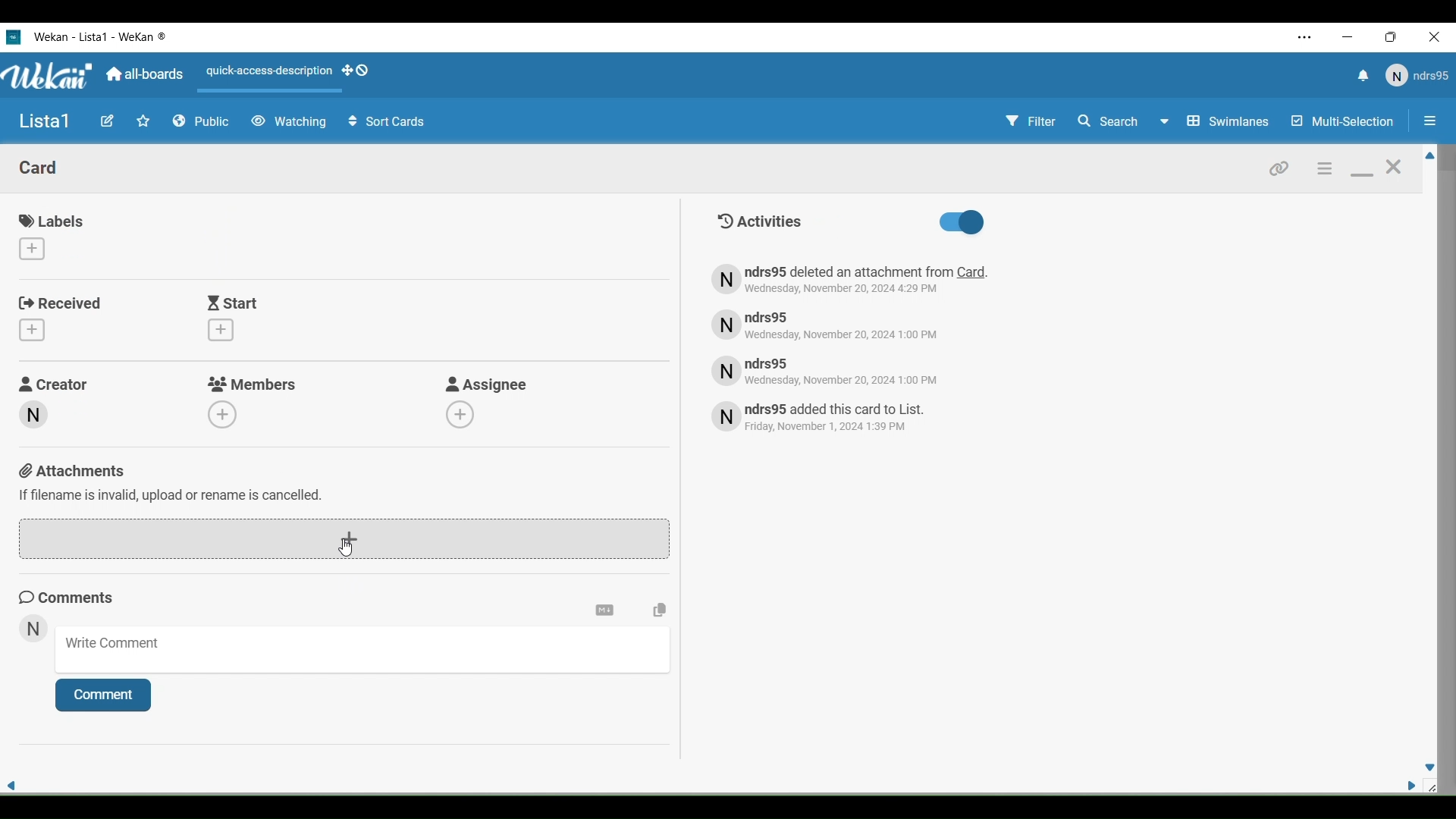 The image size is (1456, 819). What do you see at coordinates (34, 631) in the screenshot?
I see `User` at bounding box center [34, 631].